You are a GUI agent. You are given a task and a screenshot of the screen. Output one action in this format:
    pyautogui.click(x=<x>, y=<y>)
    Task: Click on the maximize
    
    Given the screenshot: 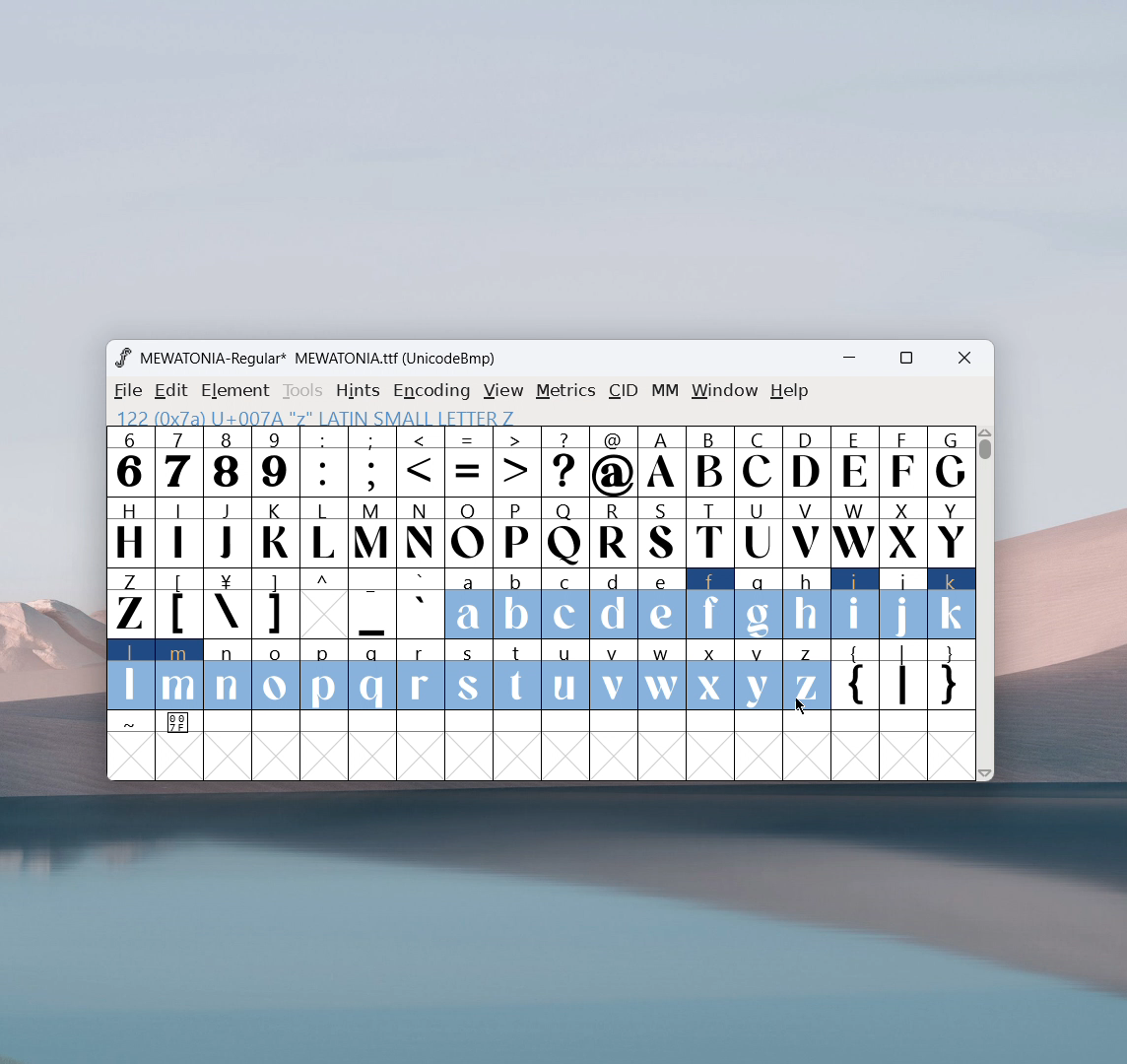 What is the action you would take?
    pyautogui.click(x=905, y=361)
    